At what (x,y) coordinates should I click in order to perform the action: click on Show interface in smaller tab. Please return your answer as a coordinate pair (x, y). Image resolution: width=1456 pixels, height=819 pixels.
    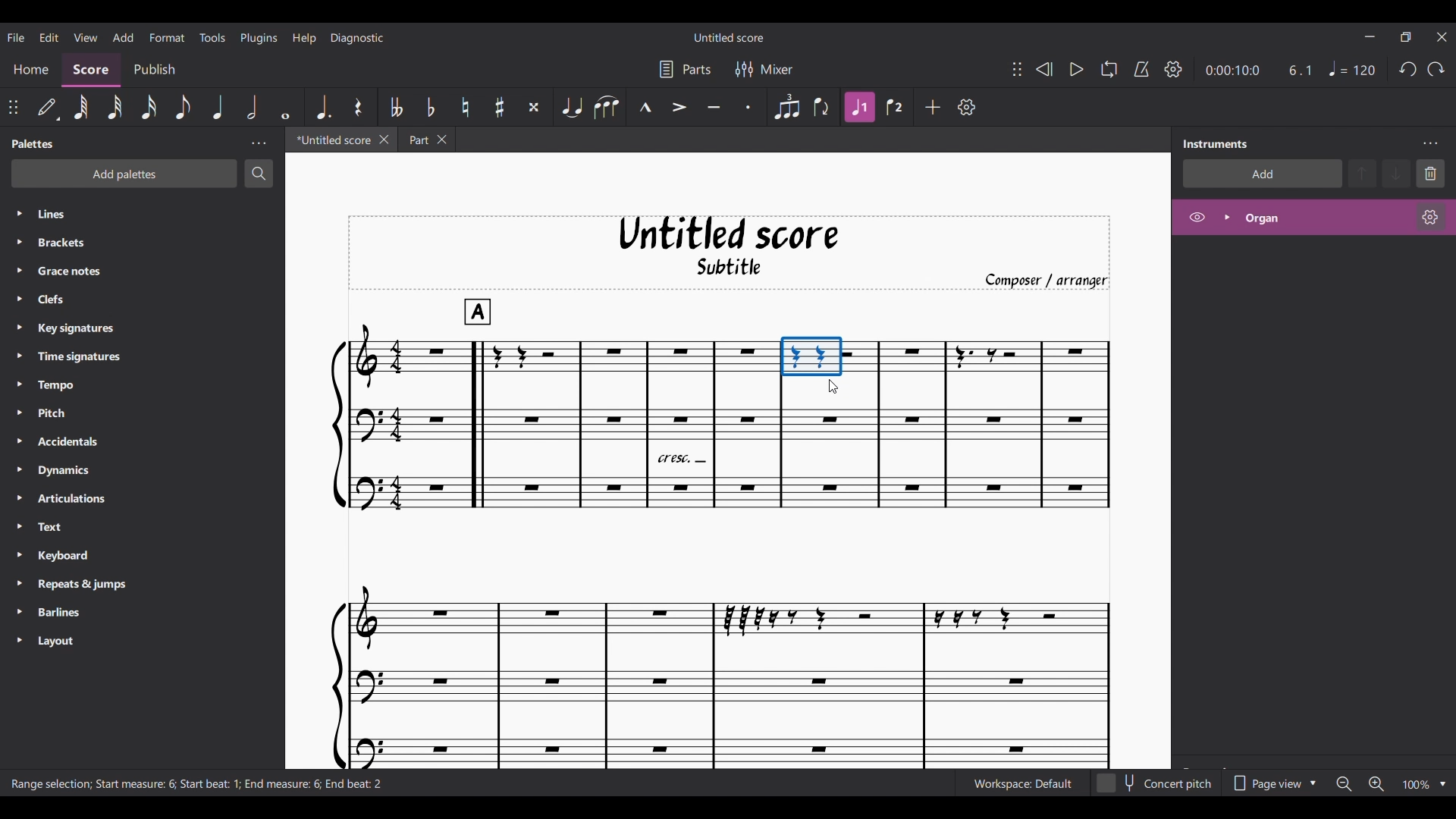
    Looking at the image, I should click on (1406, 37).